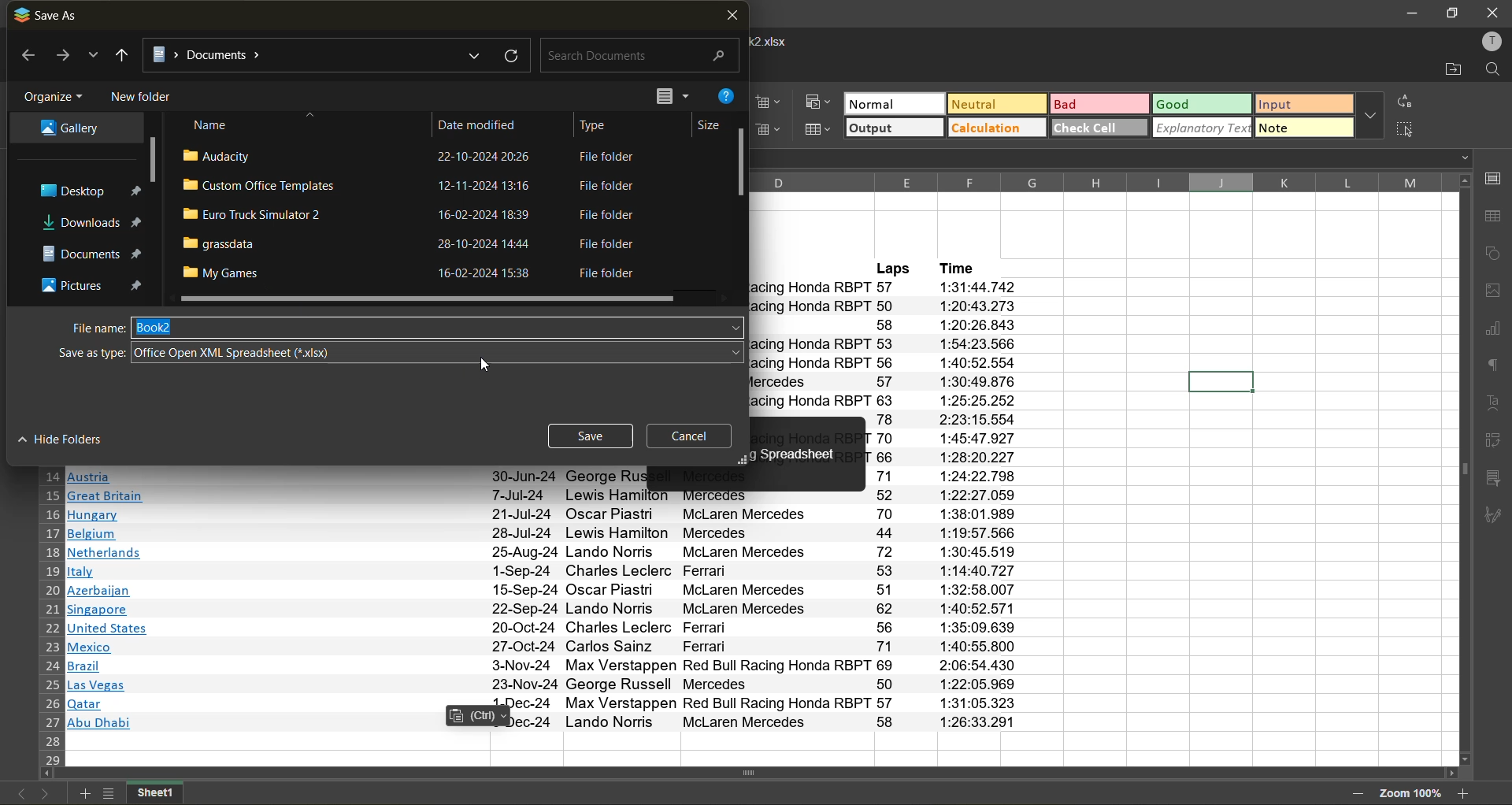  I want to click on check cell, so click(1100, 128).